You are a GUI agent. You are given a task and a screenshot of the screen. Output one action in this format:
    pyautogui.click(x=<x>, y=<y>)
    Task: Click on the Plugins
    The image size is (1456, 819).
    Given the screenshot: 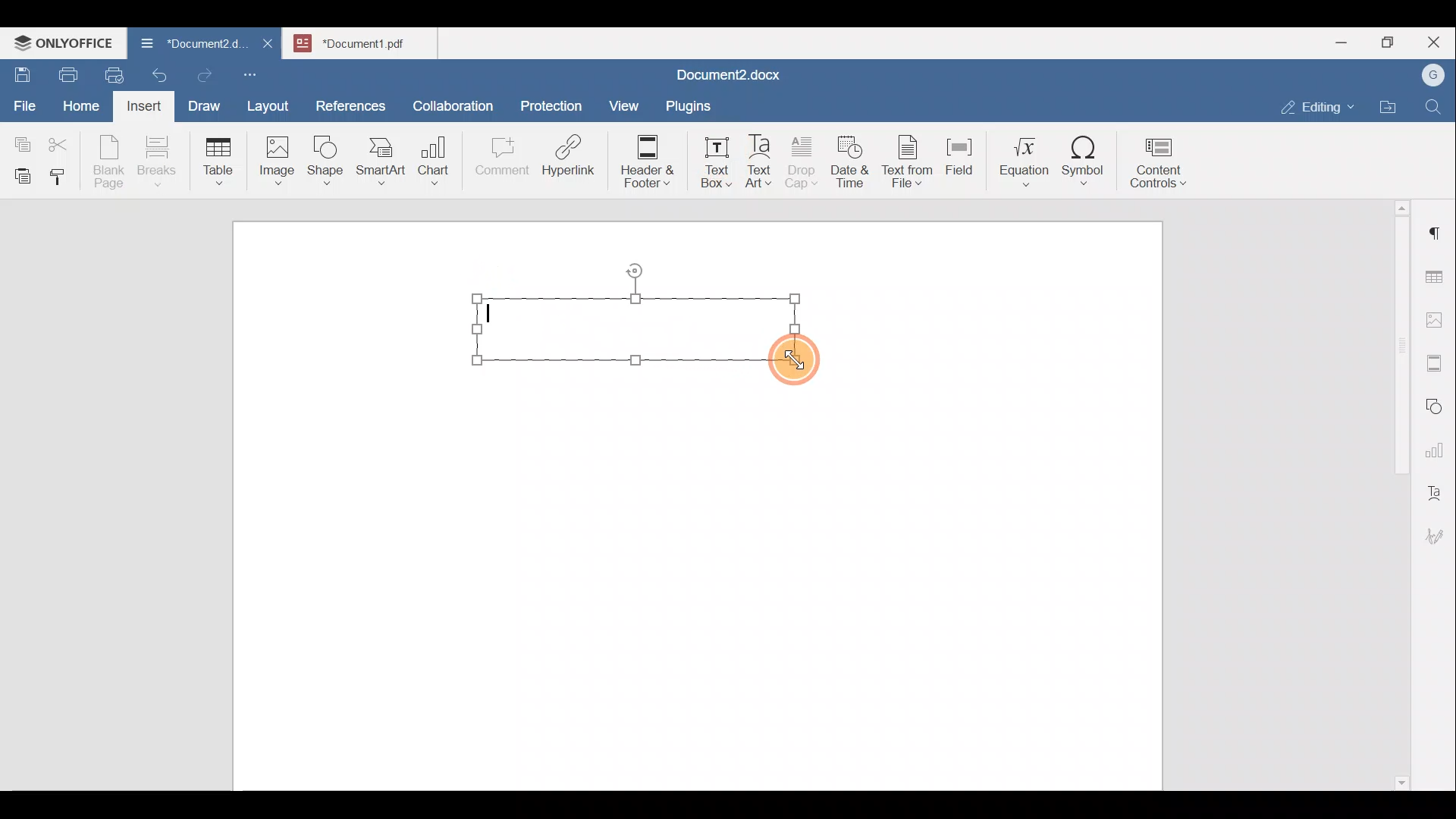 What is the action you would take?
    pyautogui.click(x=693, y=104)
    